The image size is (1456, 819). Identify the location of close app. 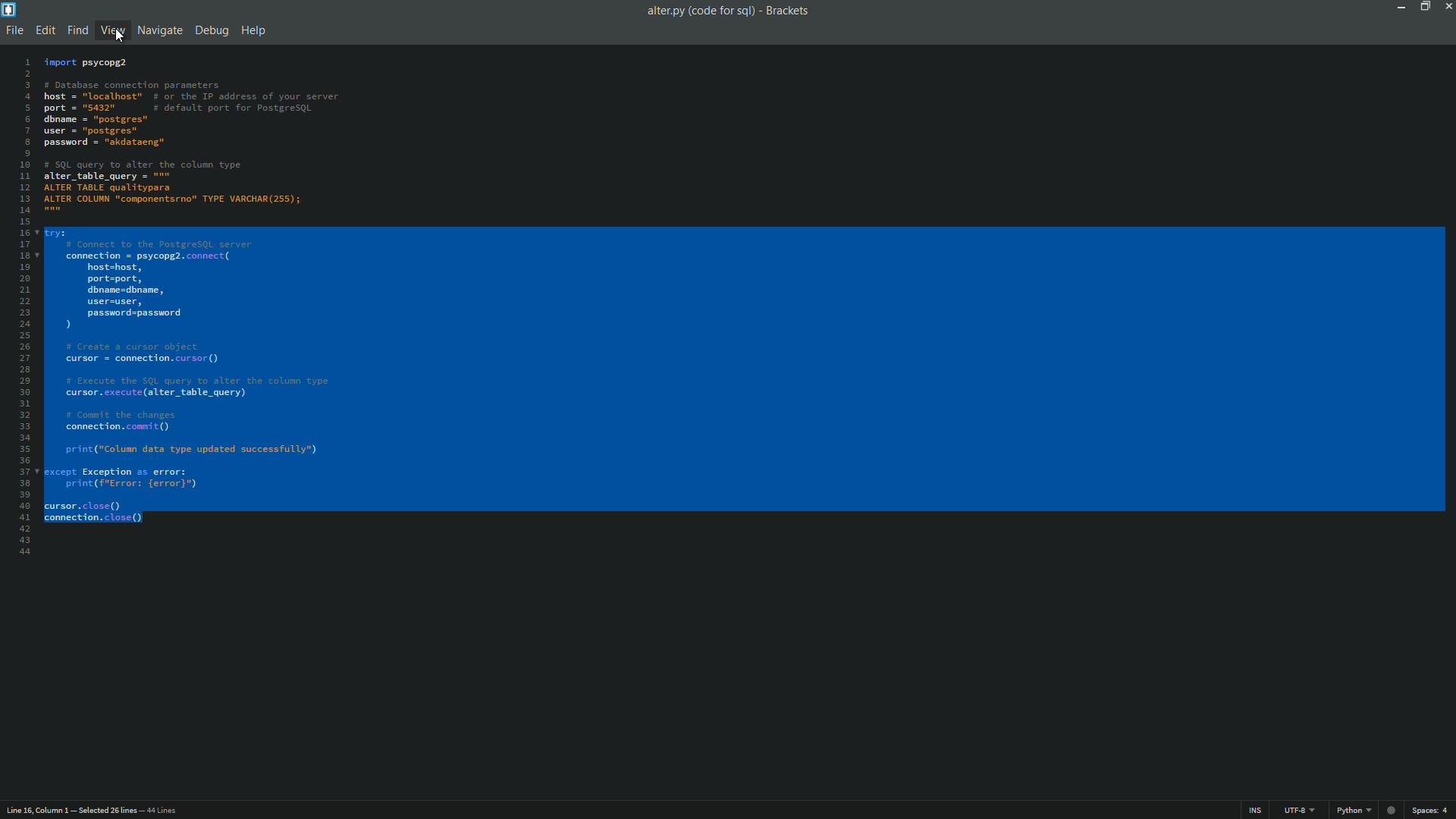
(1447, 7).